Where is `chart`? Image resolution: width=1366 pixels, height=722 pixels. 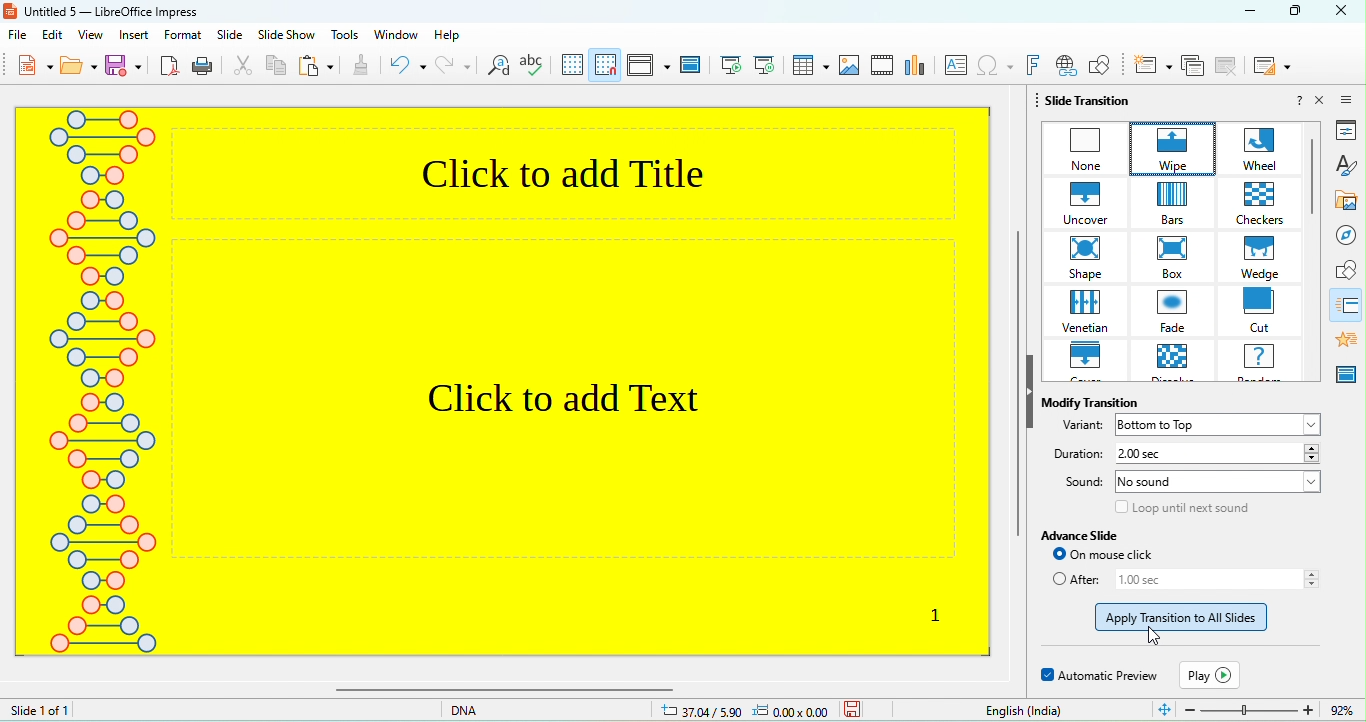 chart is located at coordinates (915, 68).